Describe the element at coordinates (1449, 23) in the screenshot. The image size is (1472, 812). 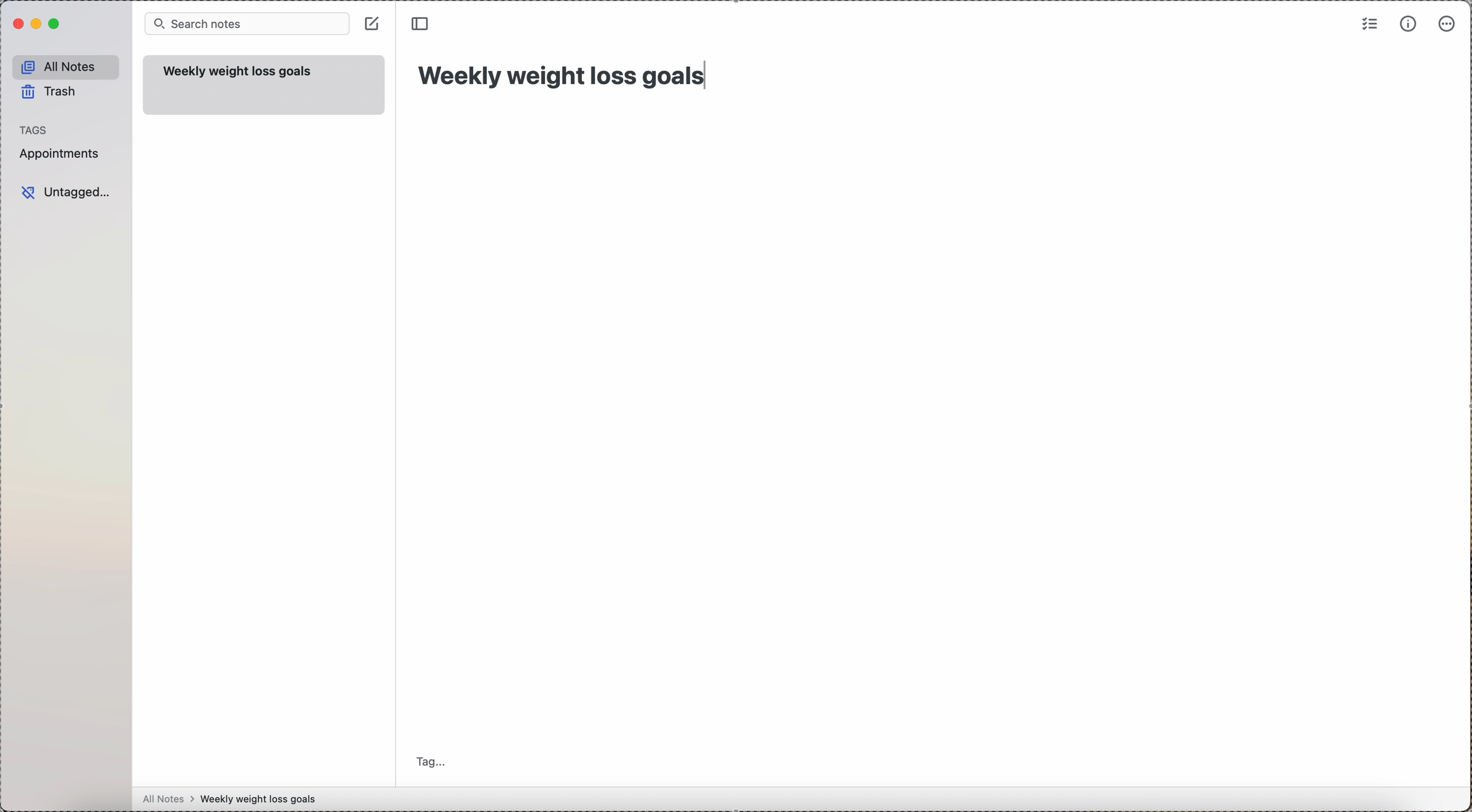
I see `more options` at that location.